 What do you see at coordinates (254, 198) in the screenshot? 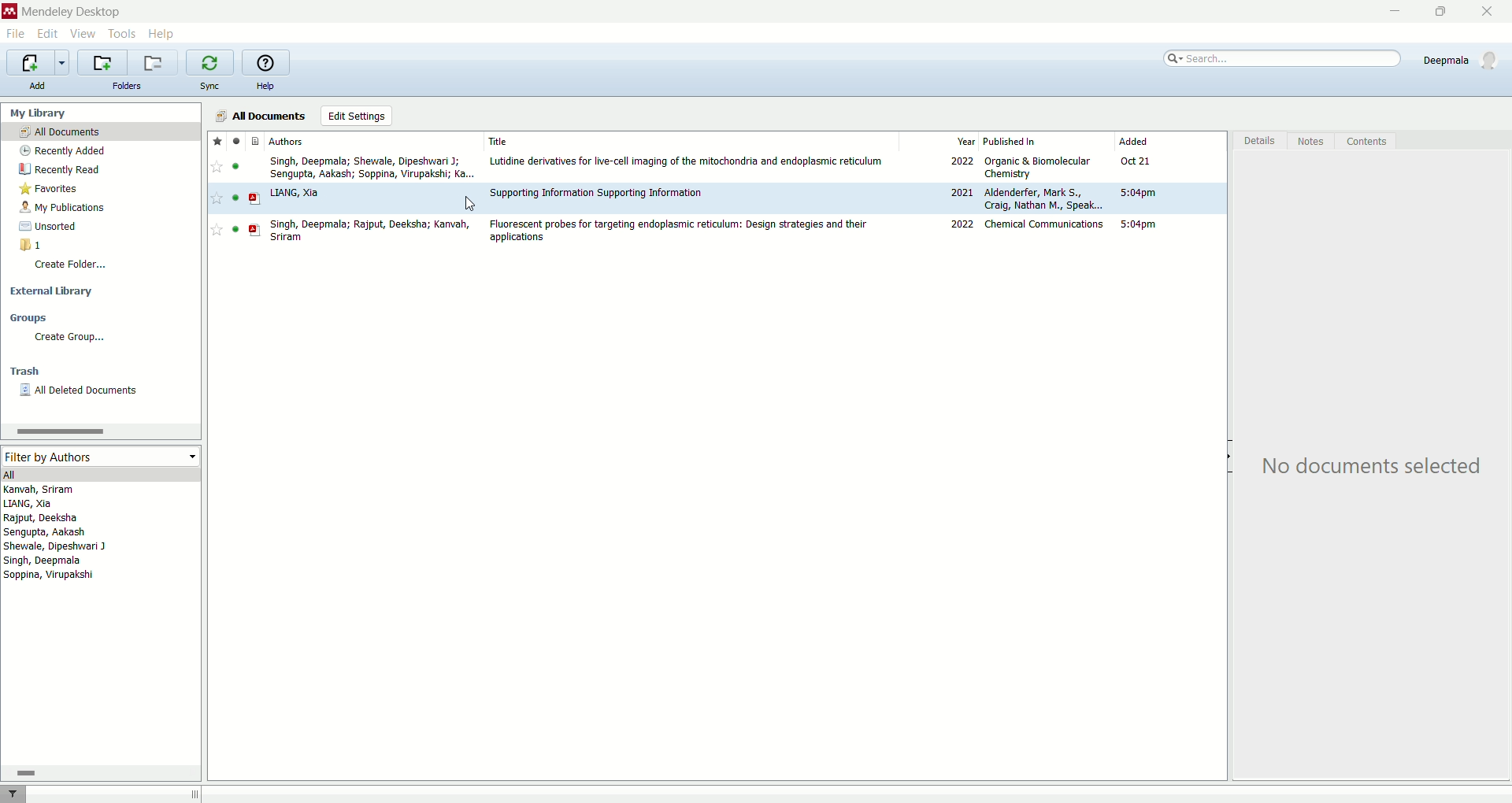
I see `PDF` at bounding box center [254, 198].